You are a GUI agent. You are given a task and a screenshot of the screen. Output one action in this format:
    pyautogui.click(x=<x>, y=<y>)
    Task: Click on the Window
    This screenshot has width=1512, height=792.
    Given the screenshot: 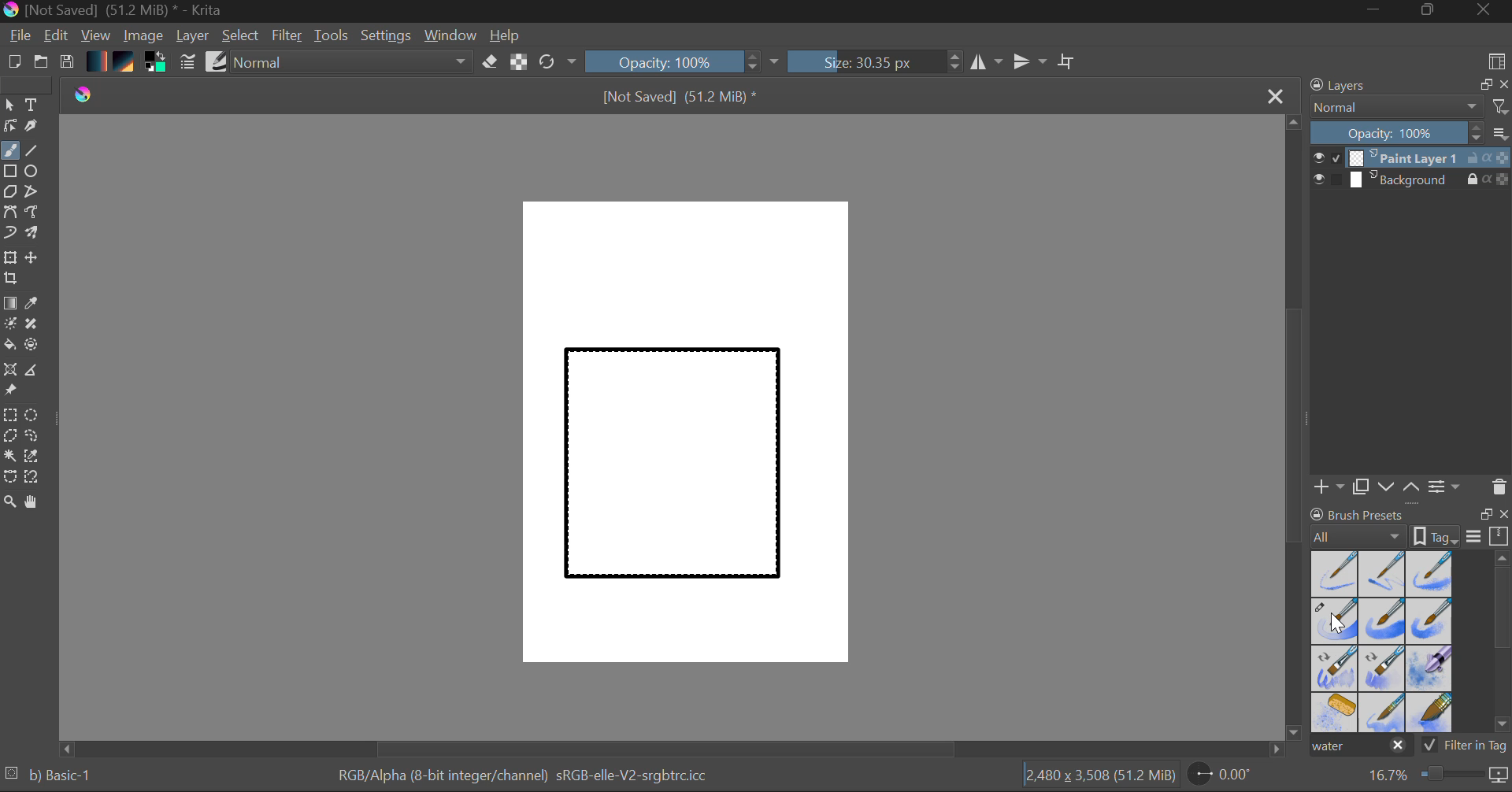 What is the action you would take?
    pyautogui.click(x=453, y=35)
    